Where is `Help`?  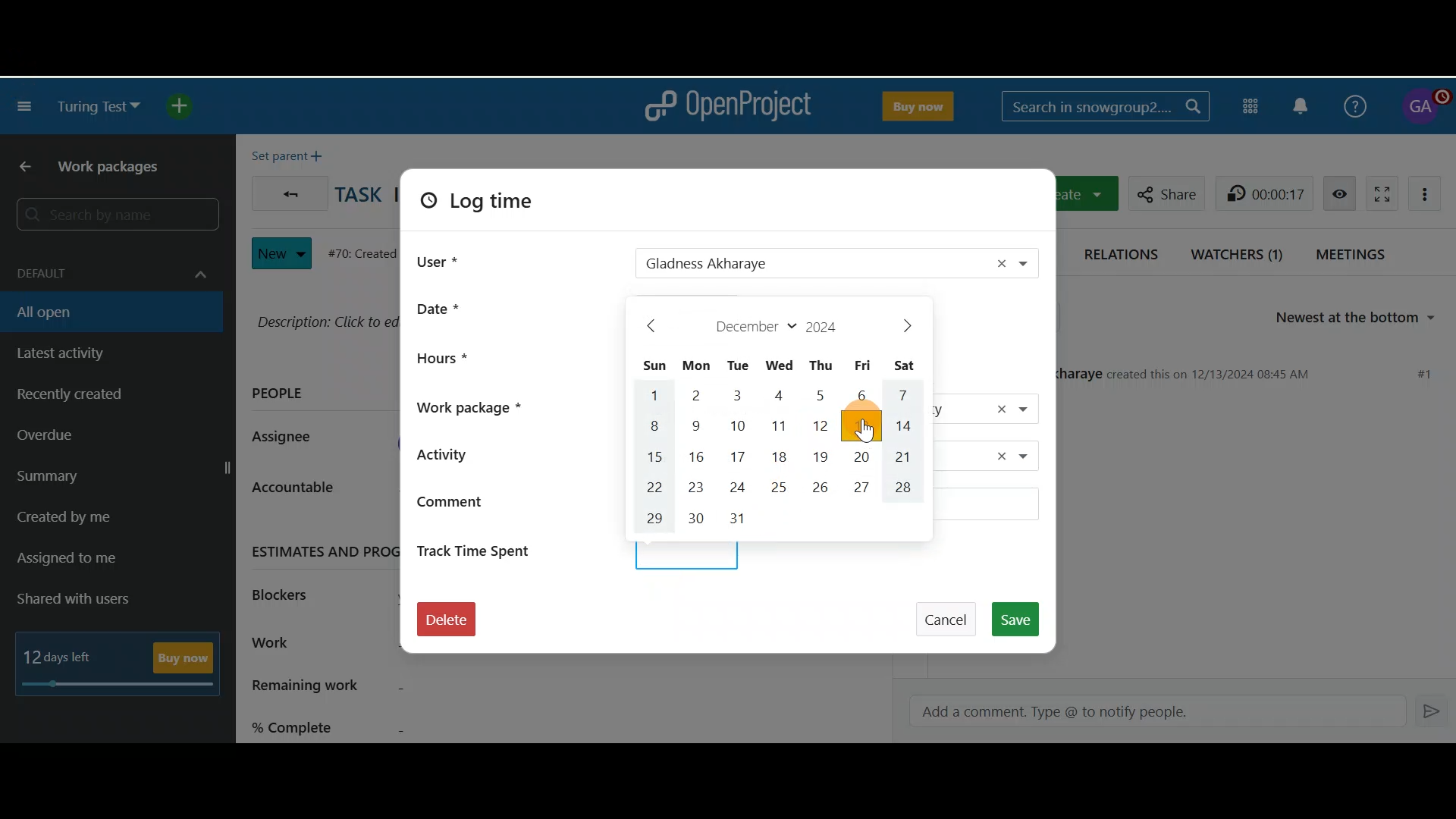
Help is located at coordinates (1352, 104).